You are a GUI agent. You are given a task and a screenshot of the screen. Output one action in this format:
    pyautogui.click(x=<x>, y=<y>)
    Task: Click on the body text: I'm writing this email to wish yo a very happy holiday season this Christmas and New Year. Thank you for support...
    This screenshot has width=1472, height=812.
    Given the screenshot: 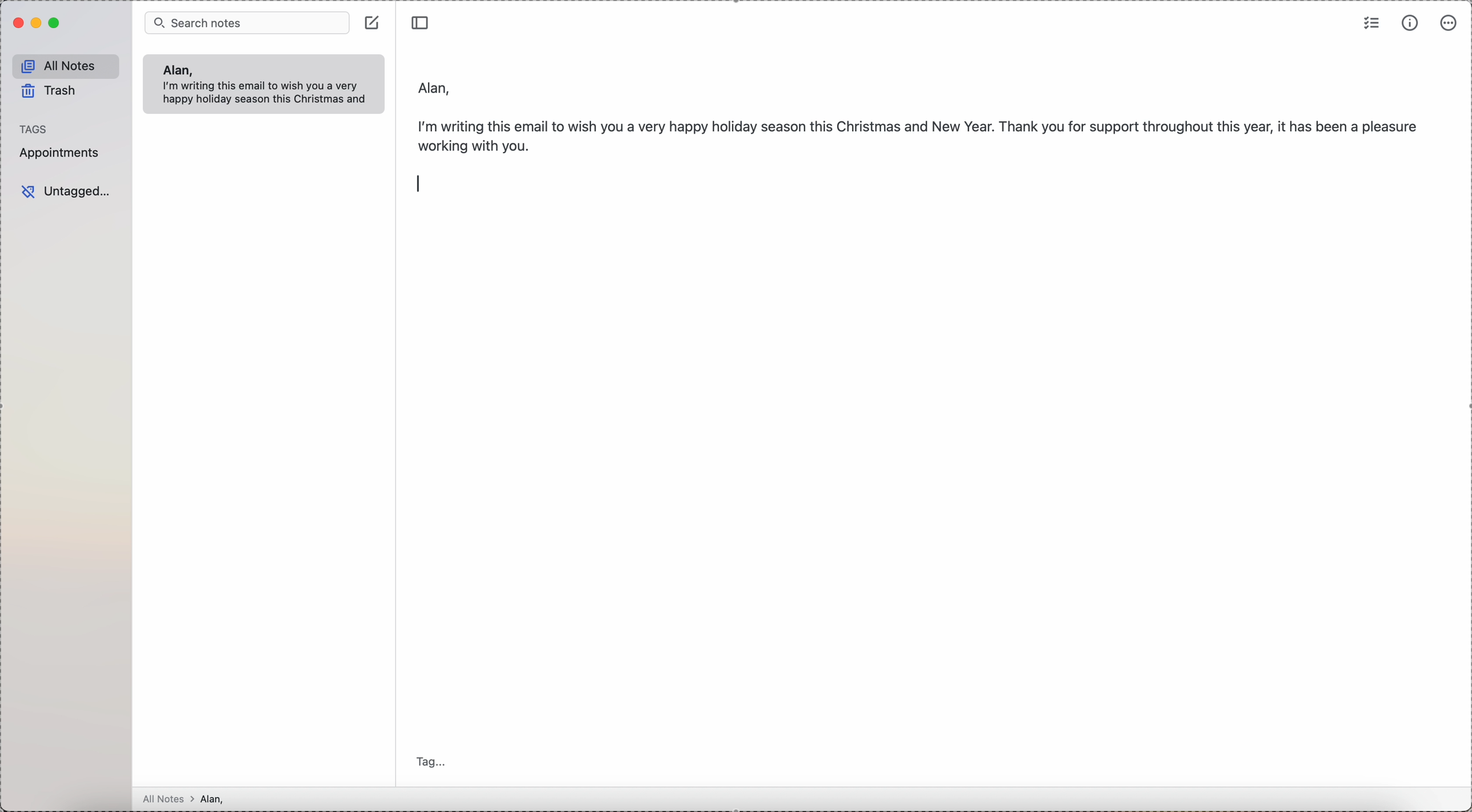 What is the action you would take?
    pyautogui.click(x=920, y=133)
    